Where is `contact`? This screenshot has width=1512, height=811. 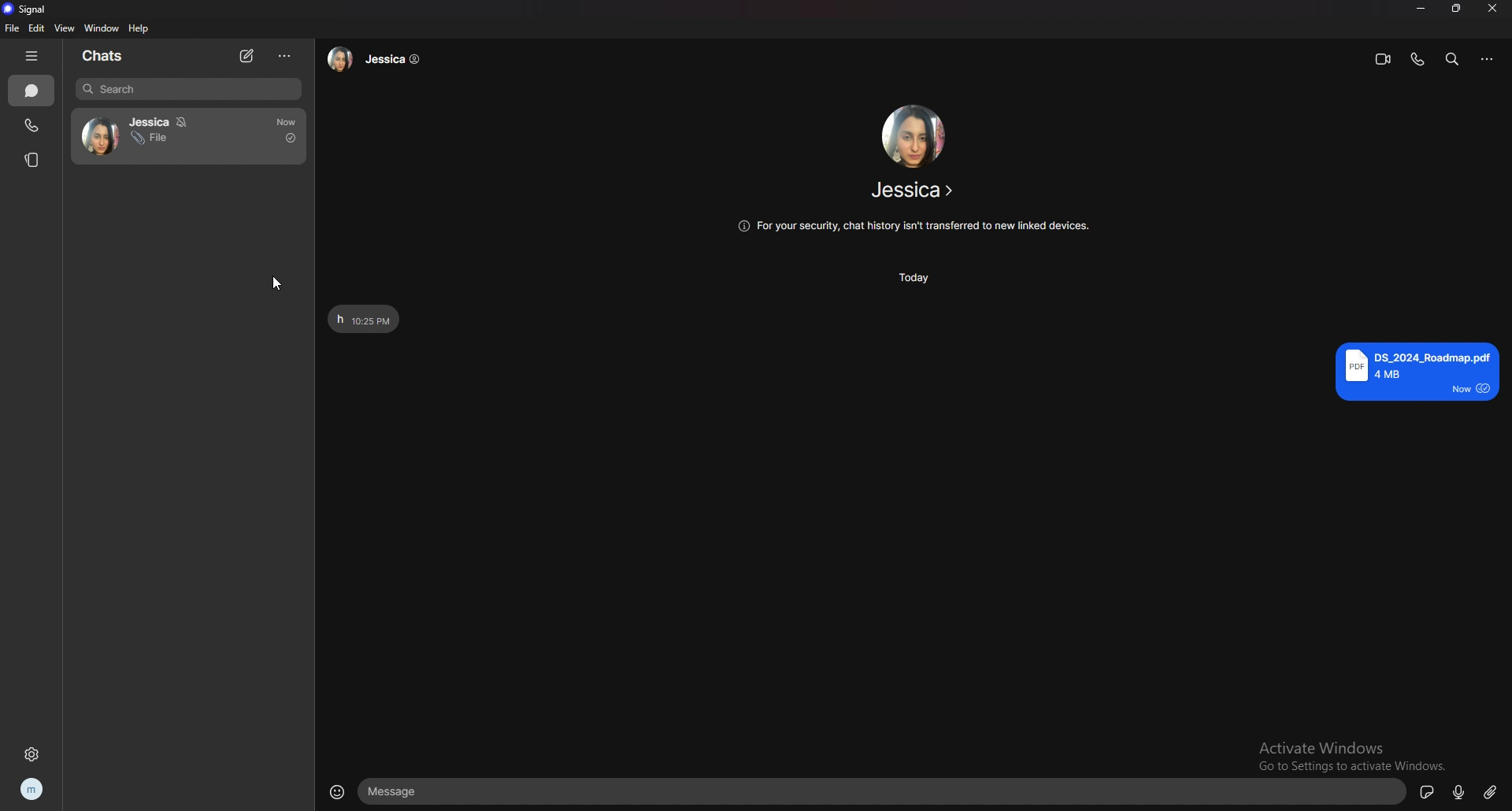 contact is located at coordinates (379, 58).